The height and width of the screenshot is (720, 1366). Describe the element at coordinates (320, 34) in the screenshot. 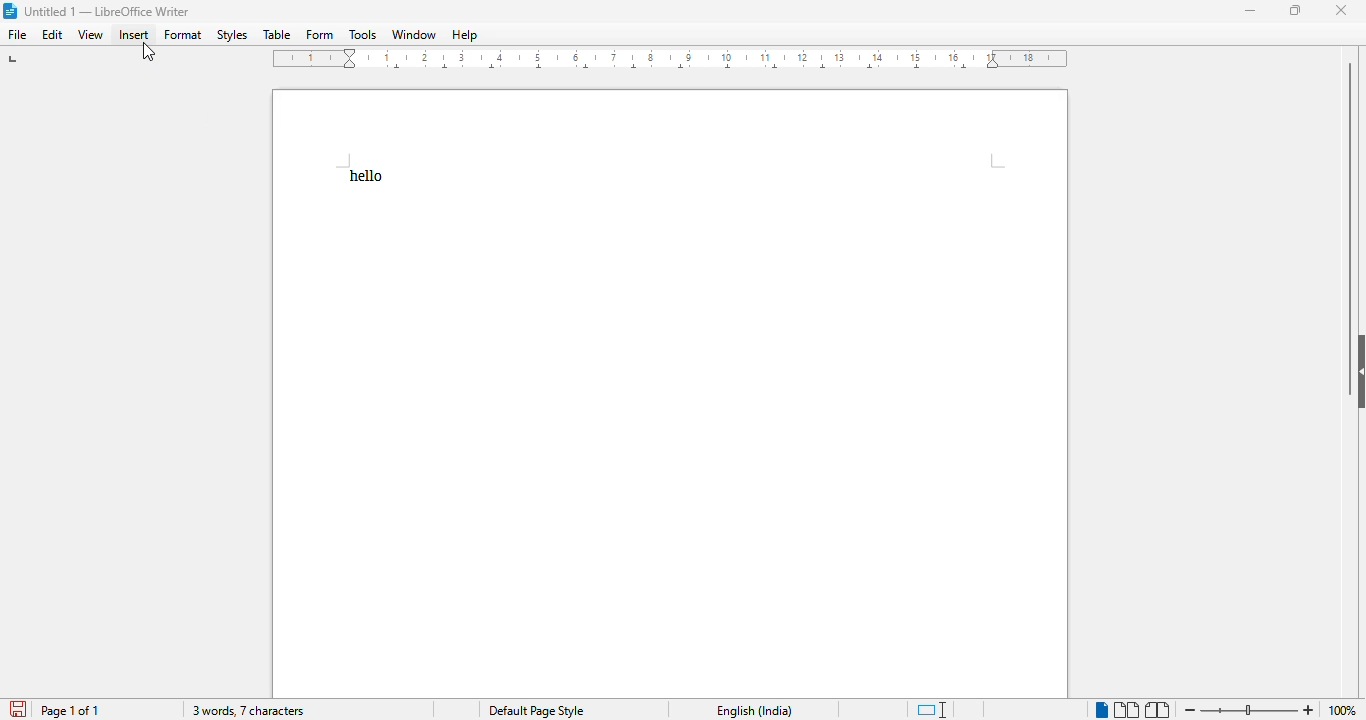

I see `form` at that location.